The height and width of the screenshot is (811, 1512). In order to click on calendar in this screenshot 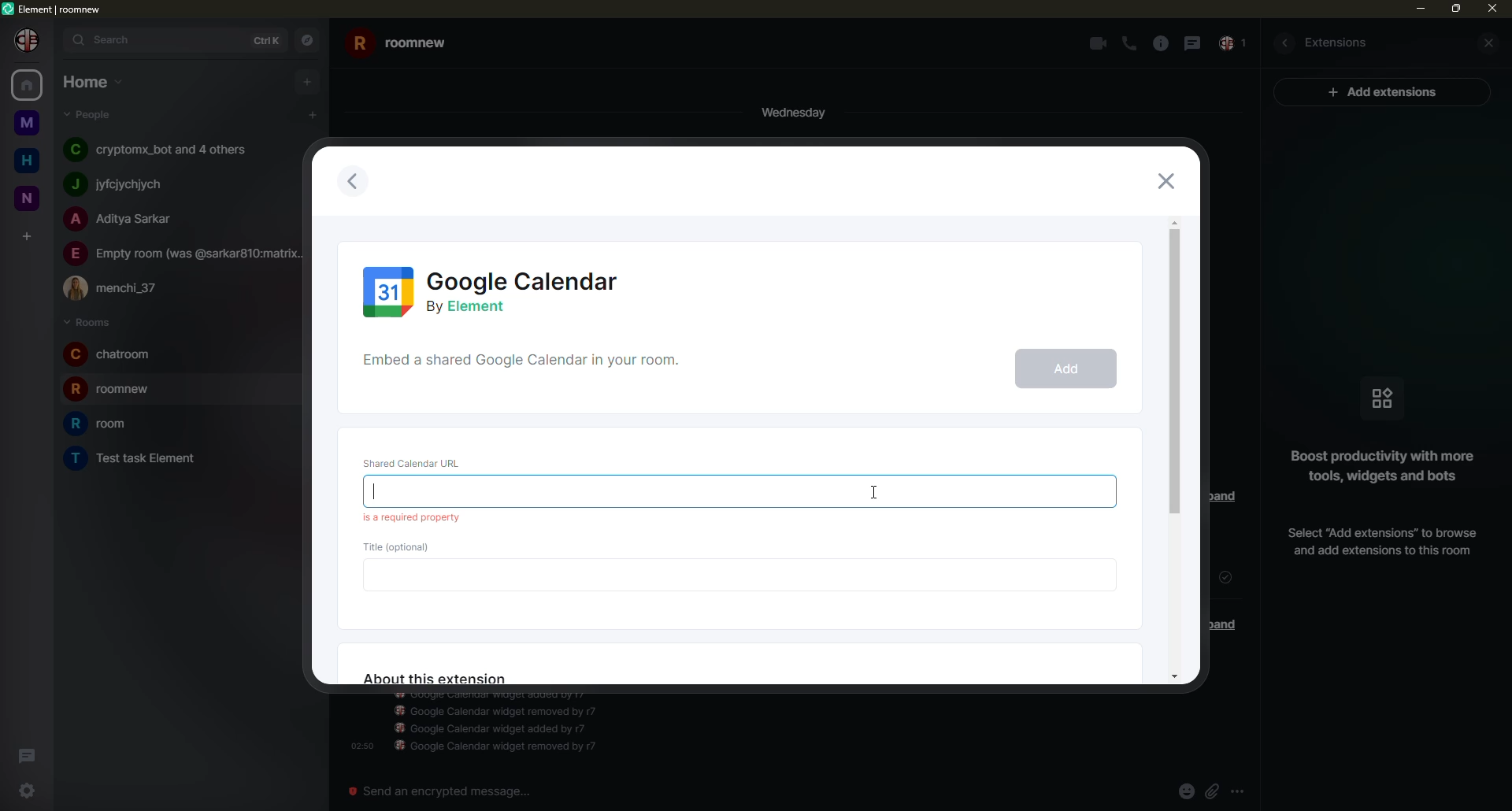, I will do `click(495, 289)`.